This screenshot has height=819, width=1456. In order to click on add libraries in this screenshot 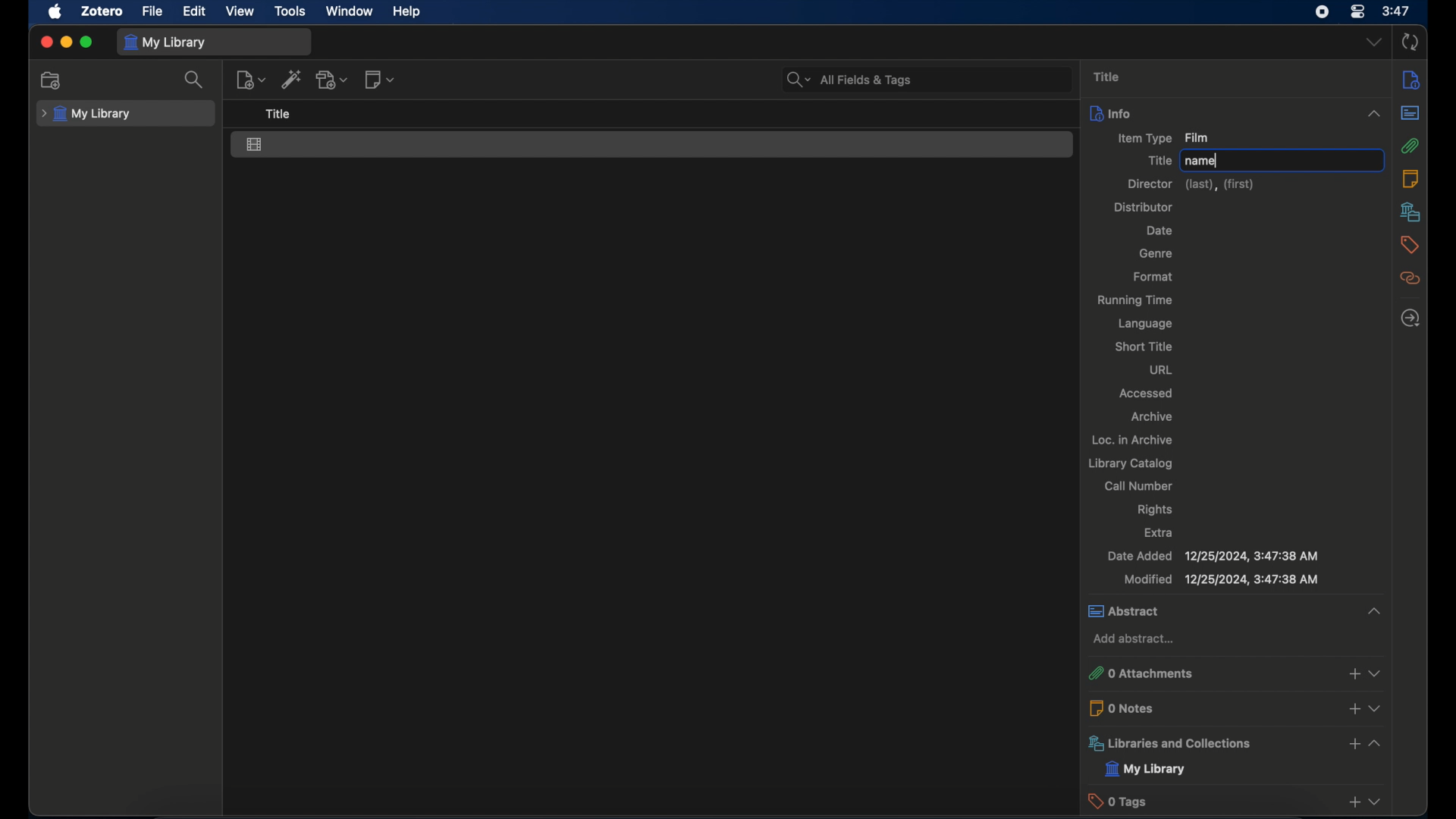, I will do `click(1350, 742)`.